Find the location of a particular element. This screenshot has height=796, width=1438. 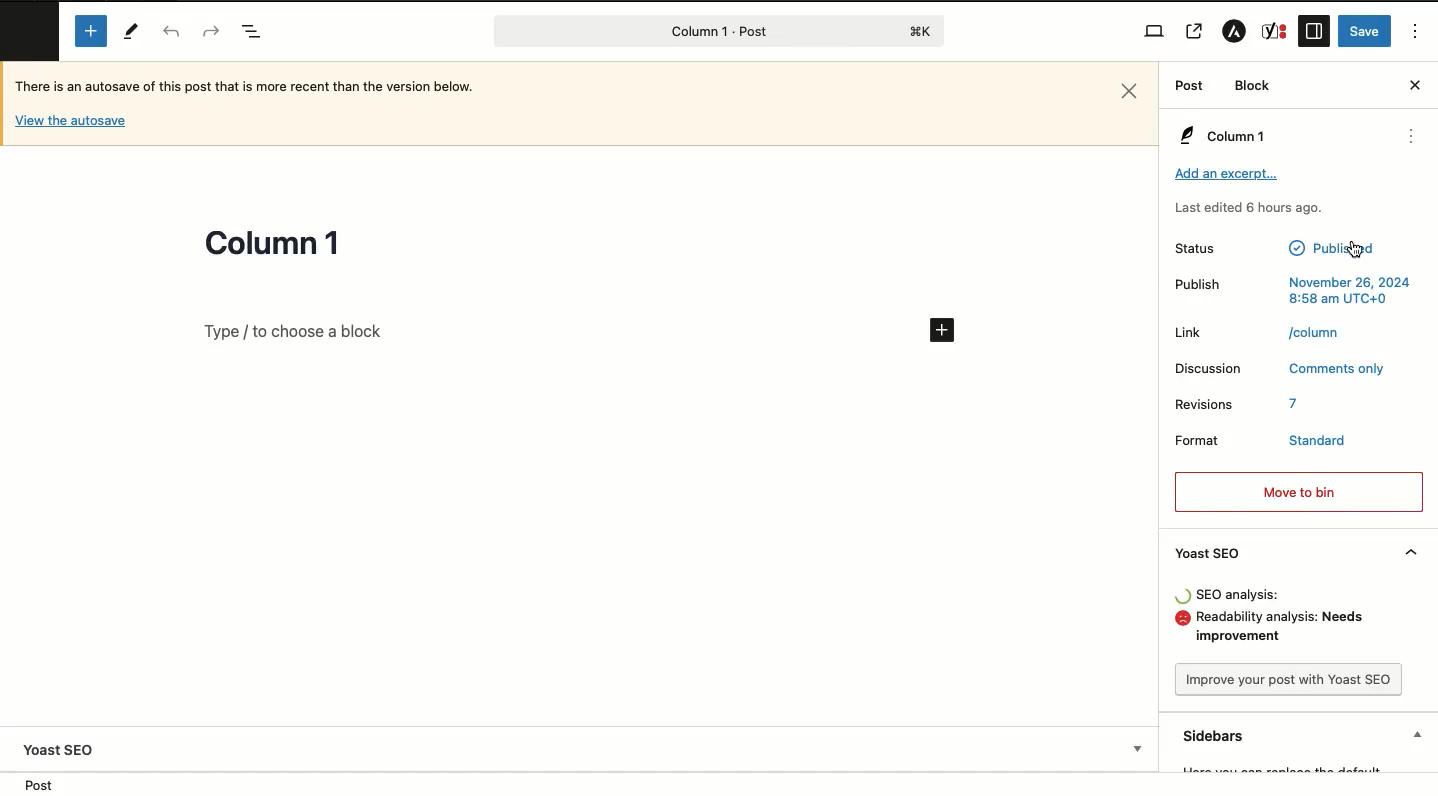

Close is located at coordinates (1131, 91).